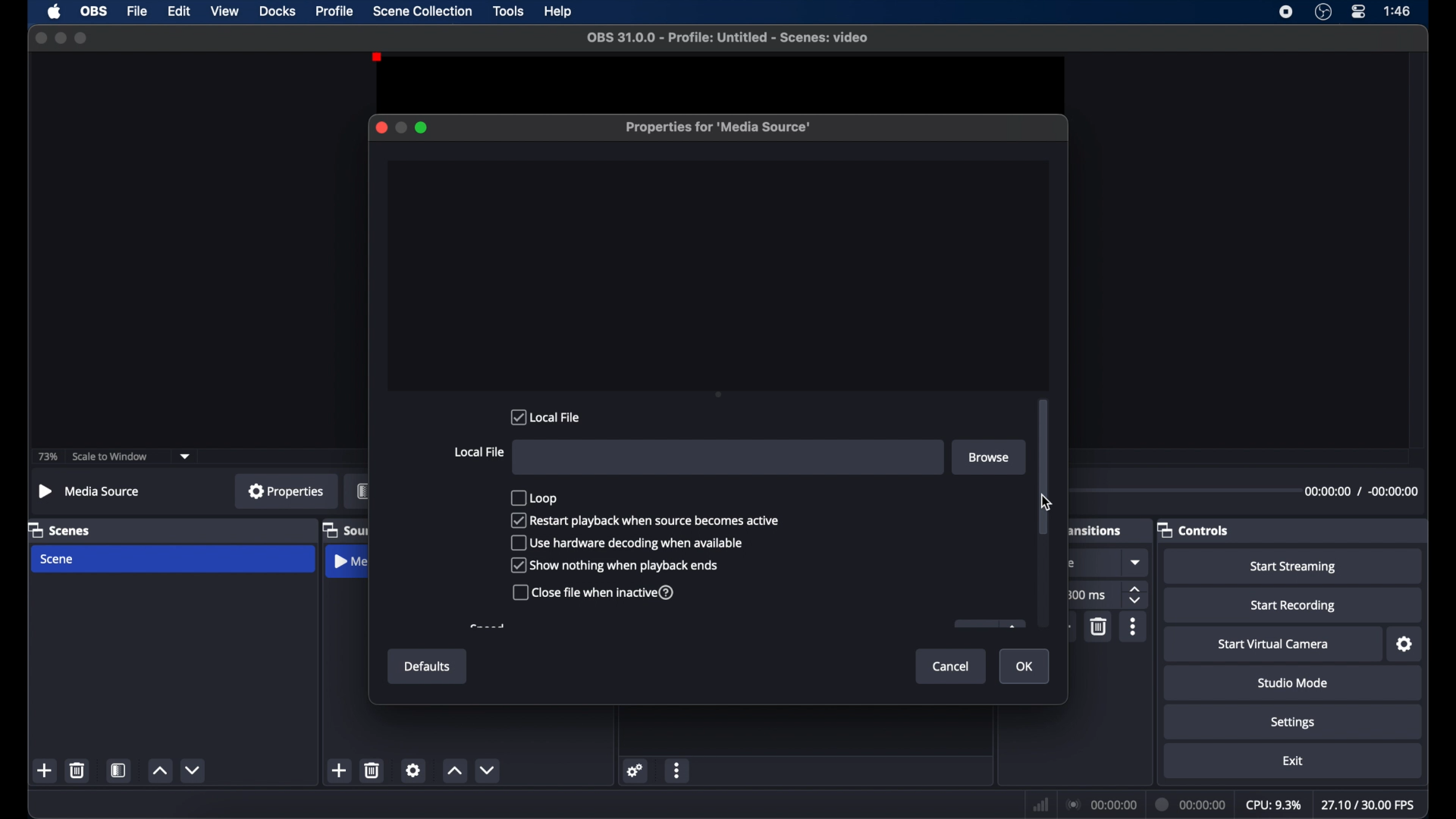 This screenshot has width=1456, height=819. I want to click on start streaming, so click(1293, 567).